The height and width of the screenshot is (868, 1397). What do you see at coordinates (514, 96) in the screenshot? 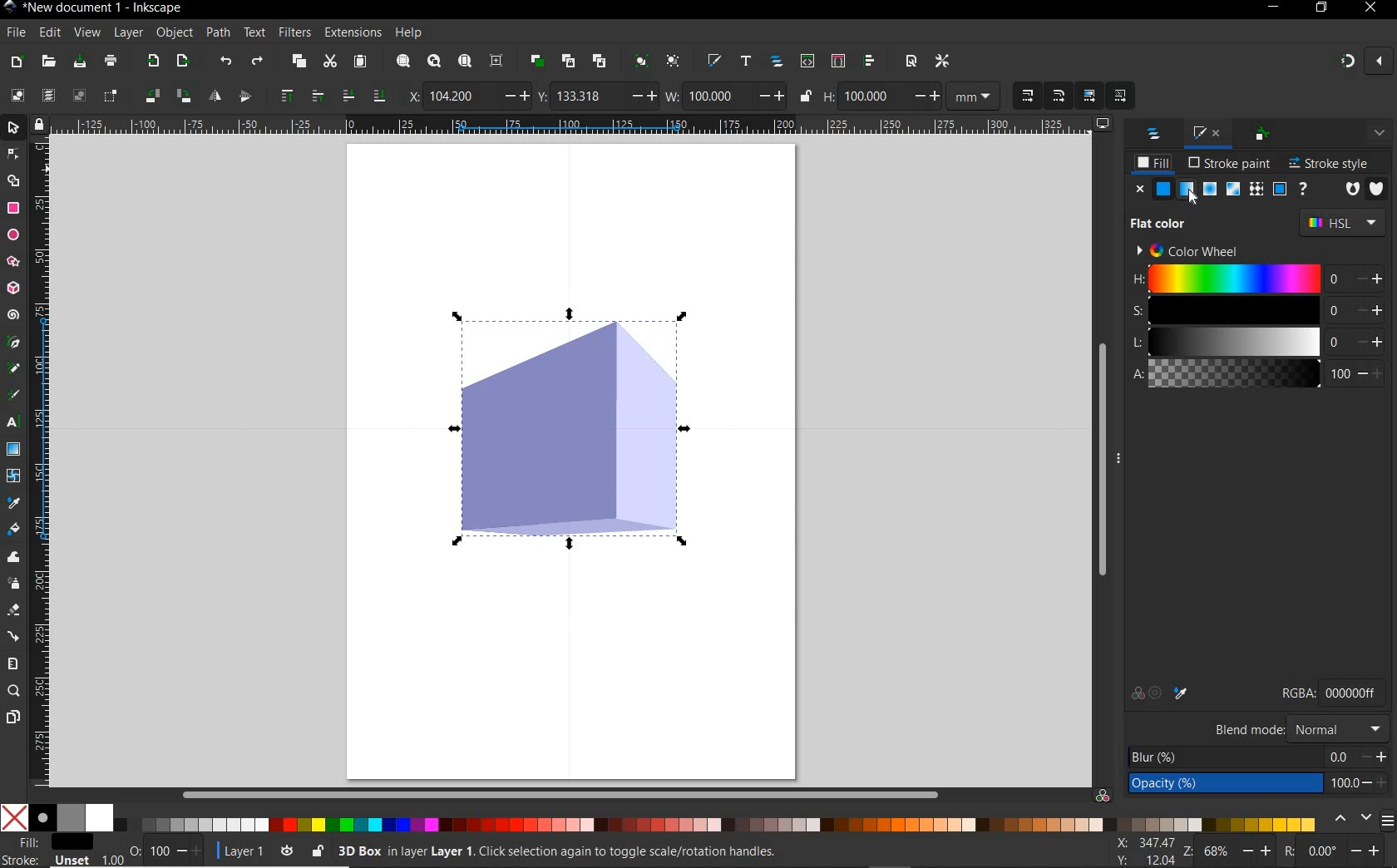
I see `increase/decrease` at bounding box center [514, 96].